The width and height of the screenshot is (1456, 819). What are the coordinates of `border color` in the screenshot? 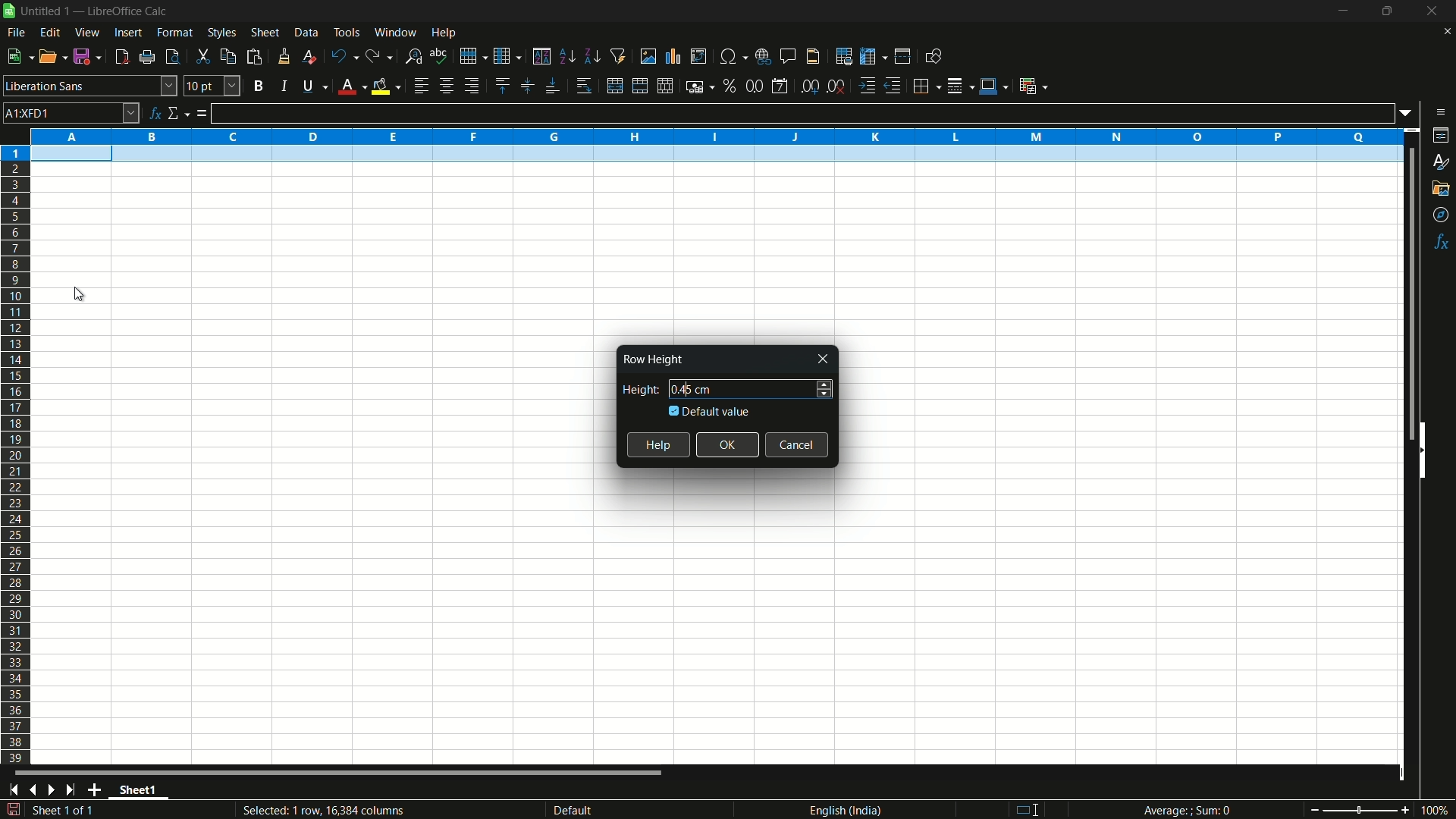 It's located at (993, 83).